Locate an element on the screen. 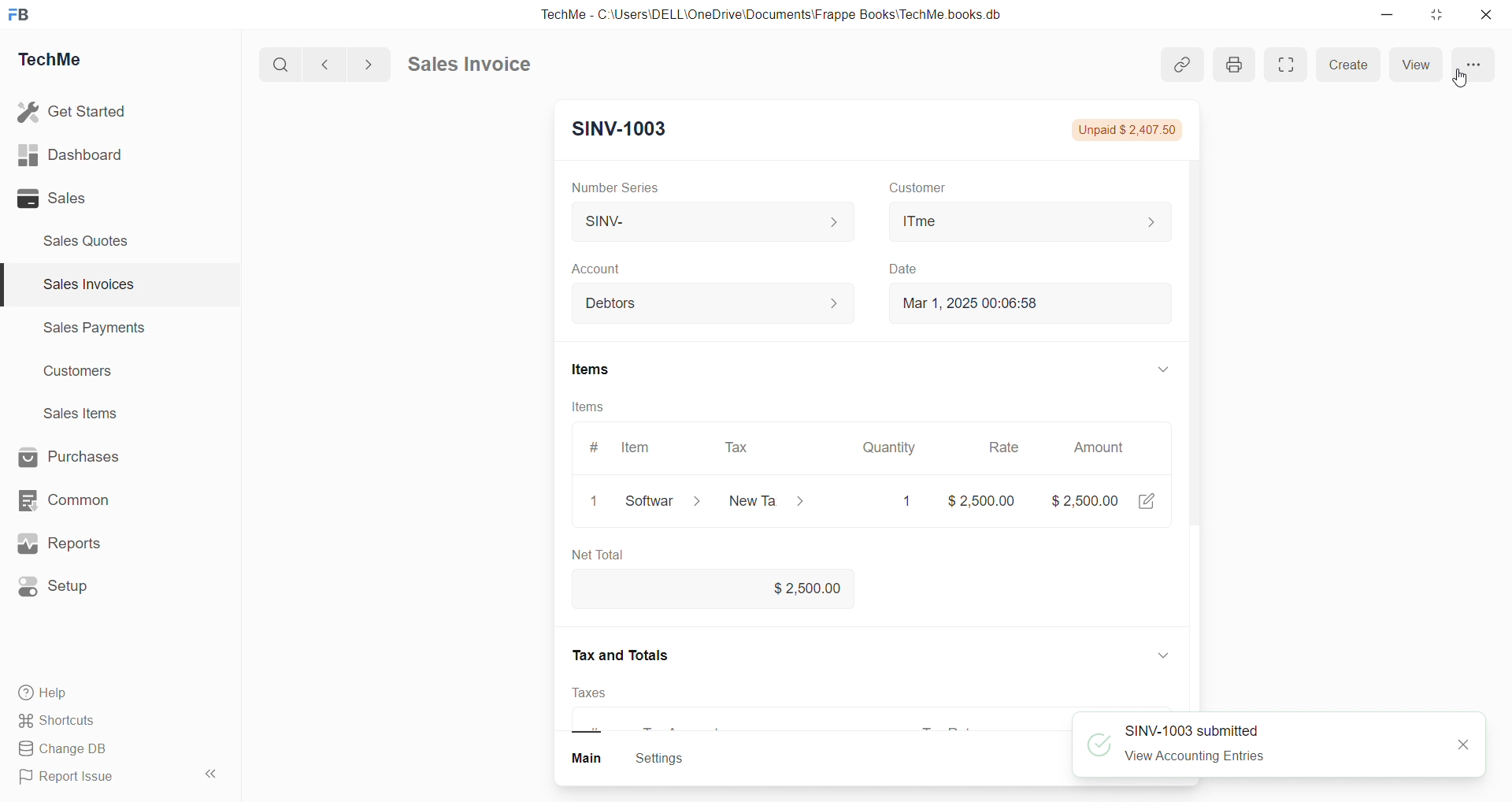  Sales Items is located at coordinates (87, 415).